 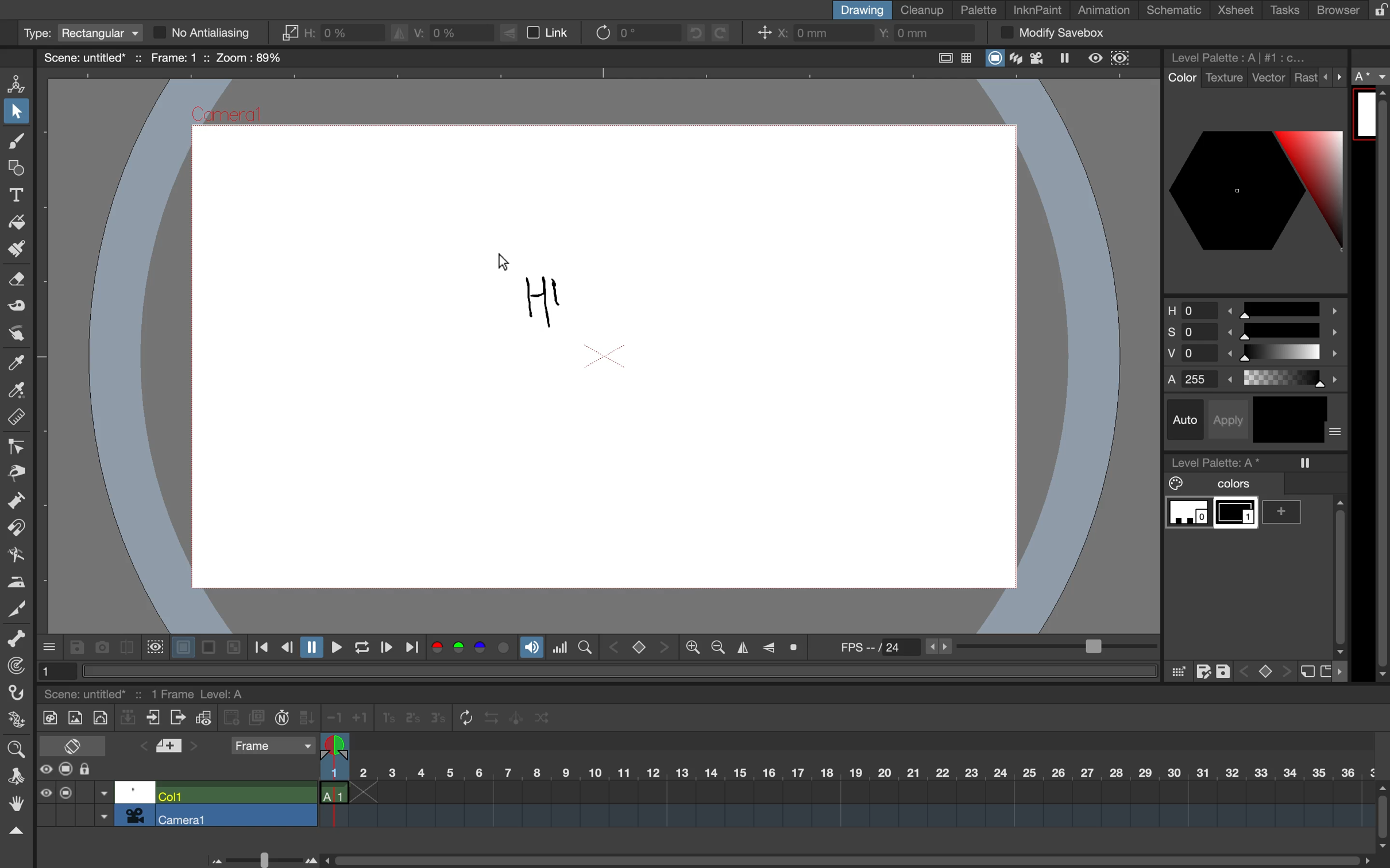 What do you see at coordinates (491, 718) in the screenshot?
I see `reverse` at bounding box center [491, 718].